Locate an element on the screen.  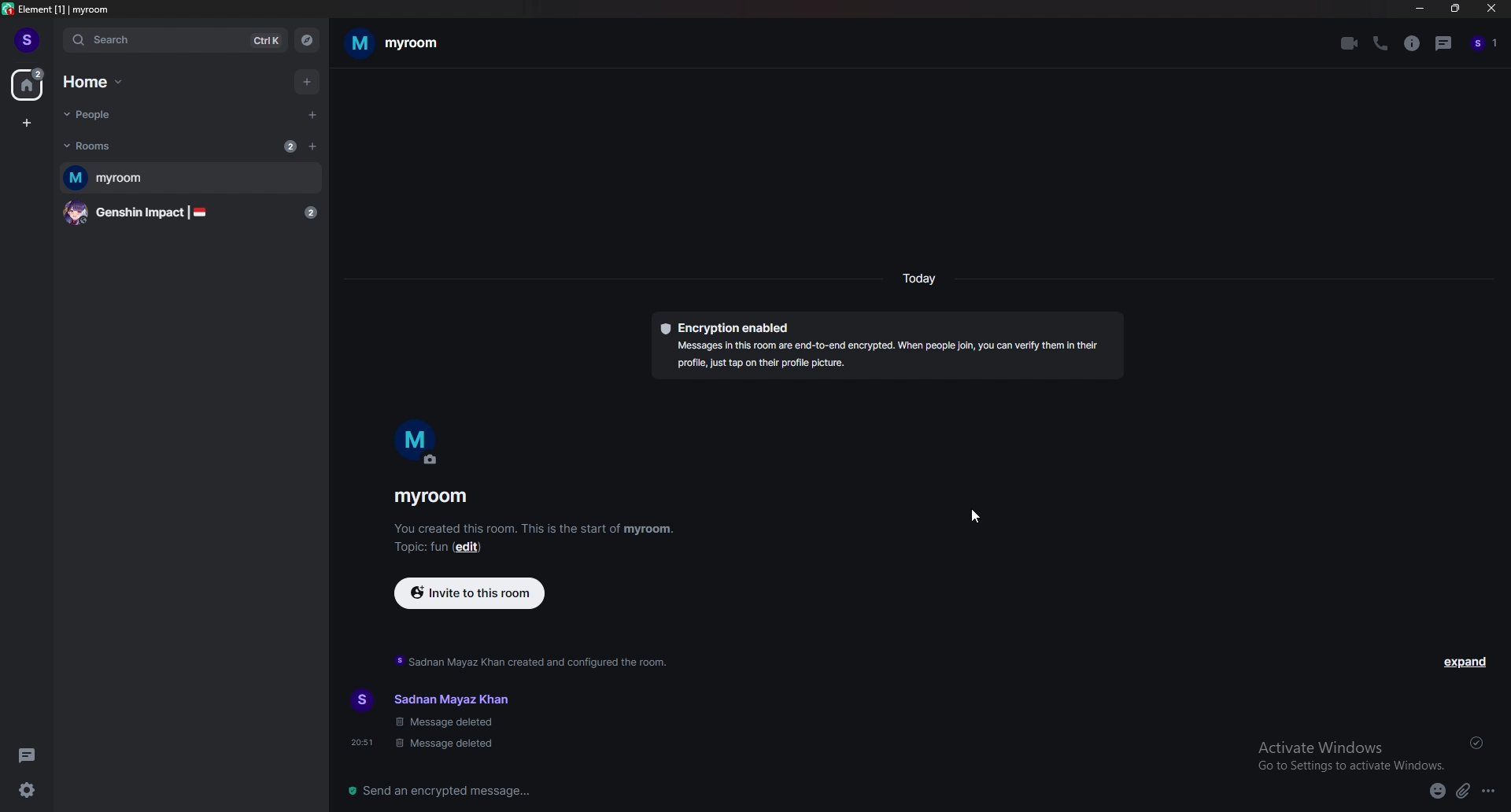
sadnan mayaz khan created and configured the room. is located at coordinates (539, 659).